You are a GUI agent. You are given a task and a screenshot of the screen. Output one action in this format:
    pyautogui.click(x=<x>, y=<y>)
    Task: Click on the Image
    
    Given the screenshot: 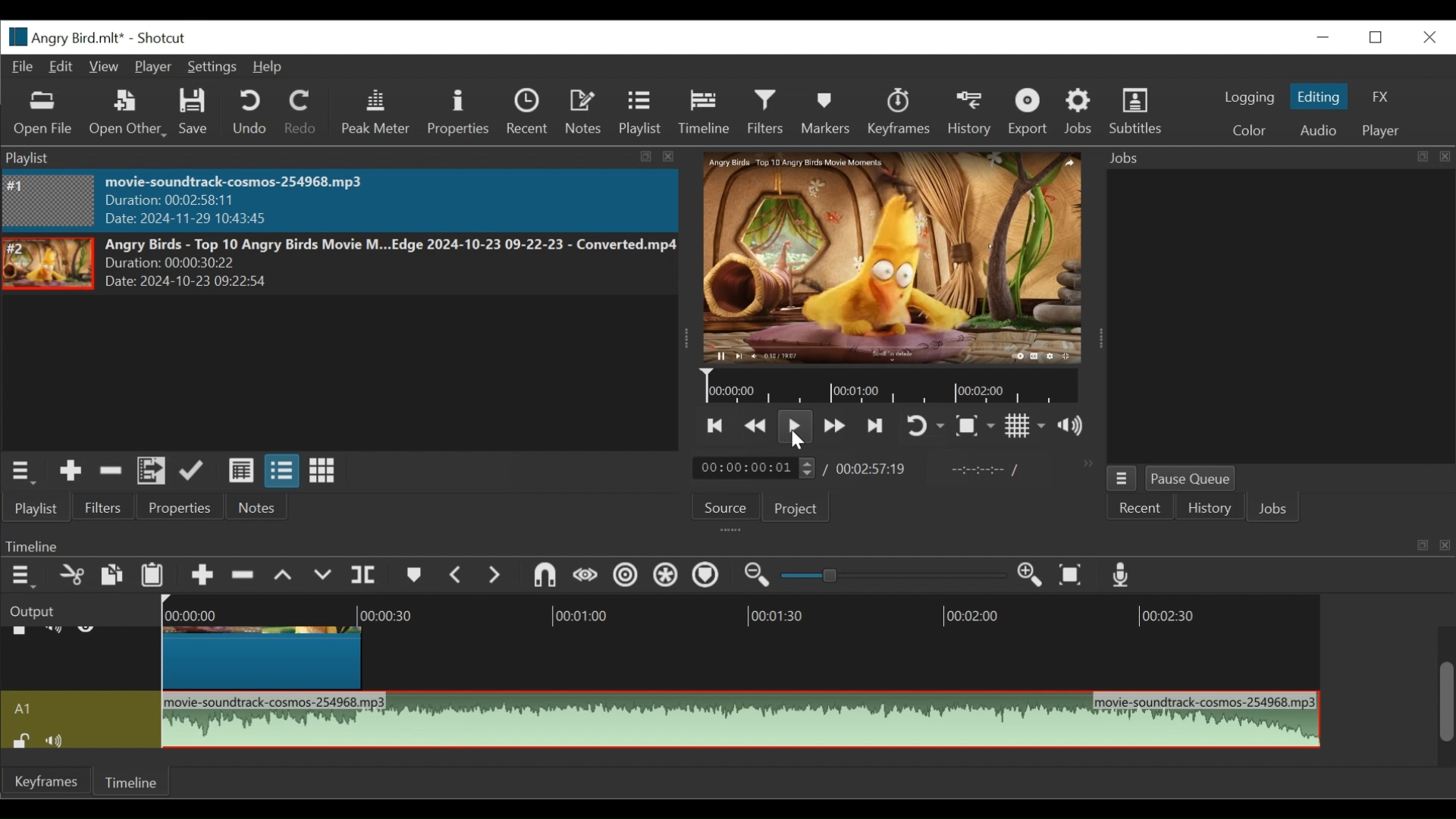 What is the action you would take?
    pyautogui.click(x=49, y=264)
    